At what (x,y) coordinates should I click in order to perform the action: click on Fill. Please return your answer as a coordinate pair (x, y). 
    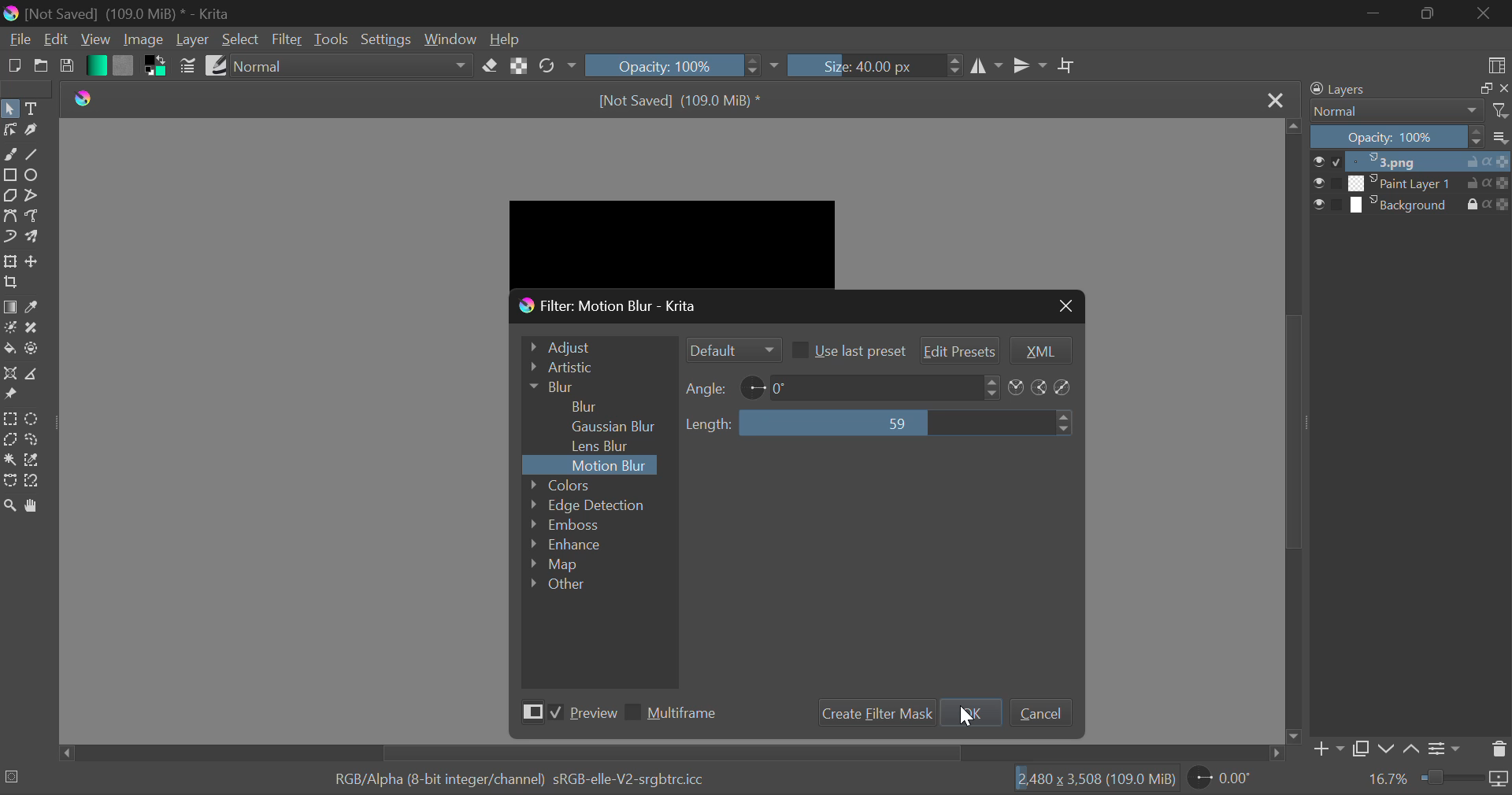
    Looking at the image, I should click on (9, 348).